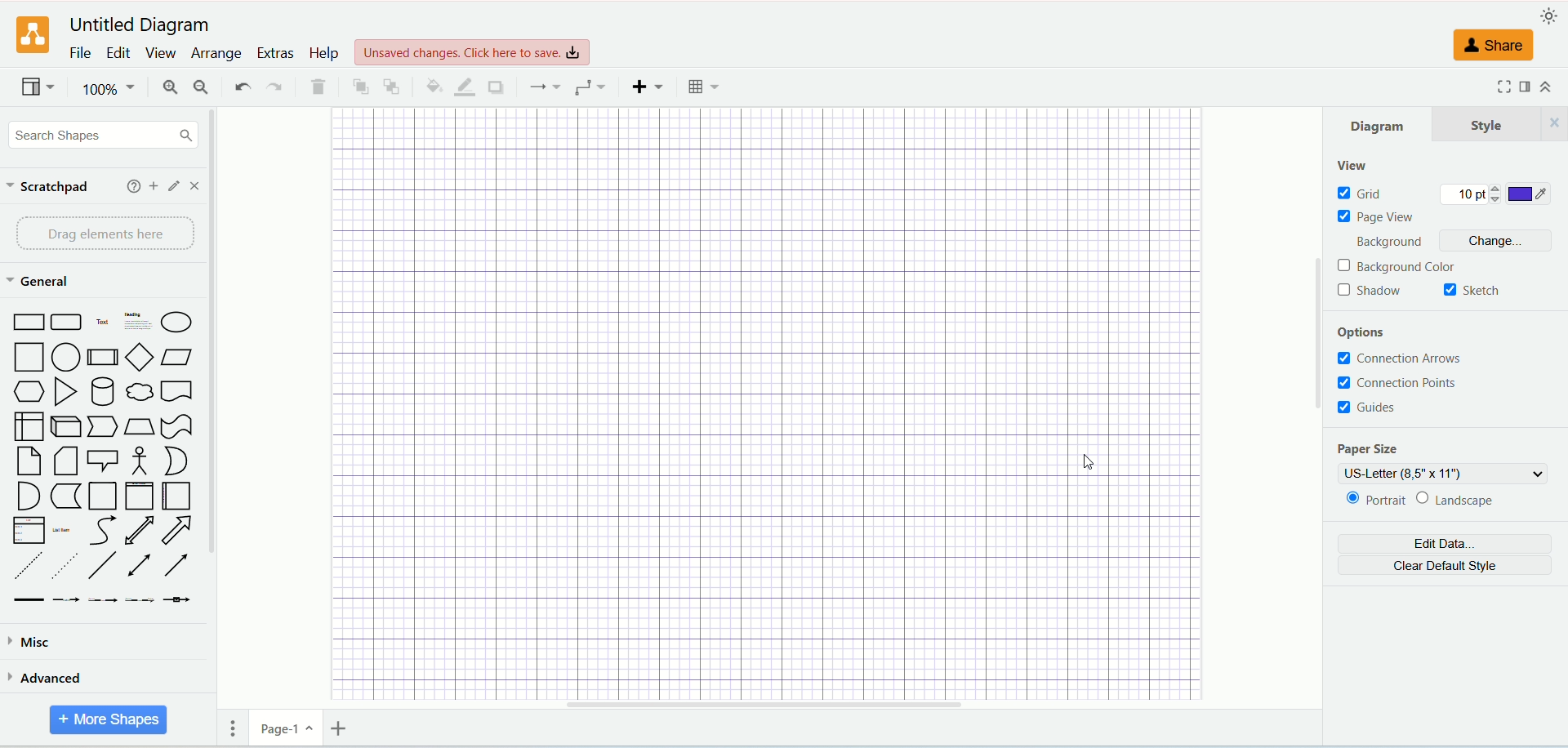  Describe the element at coordinates (47, 677) in the screenshot. I see `advanced` at that location.